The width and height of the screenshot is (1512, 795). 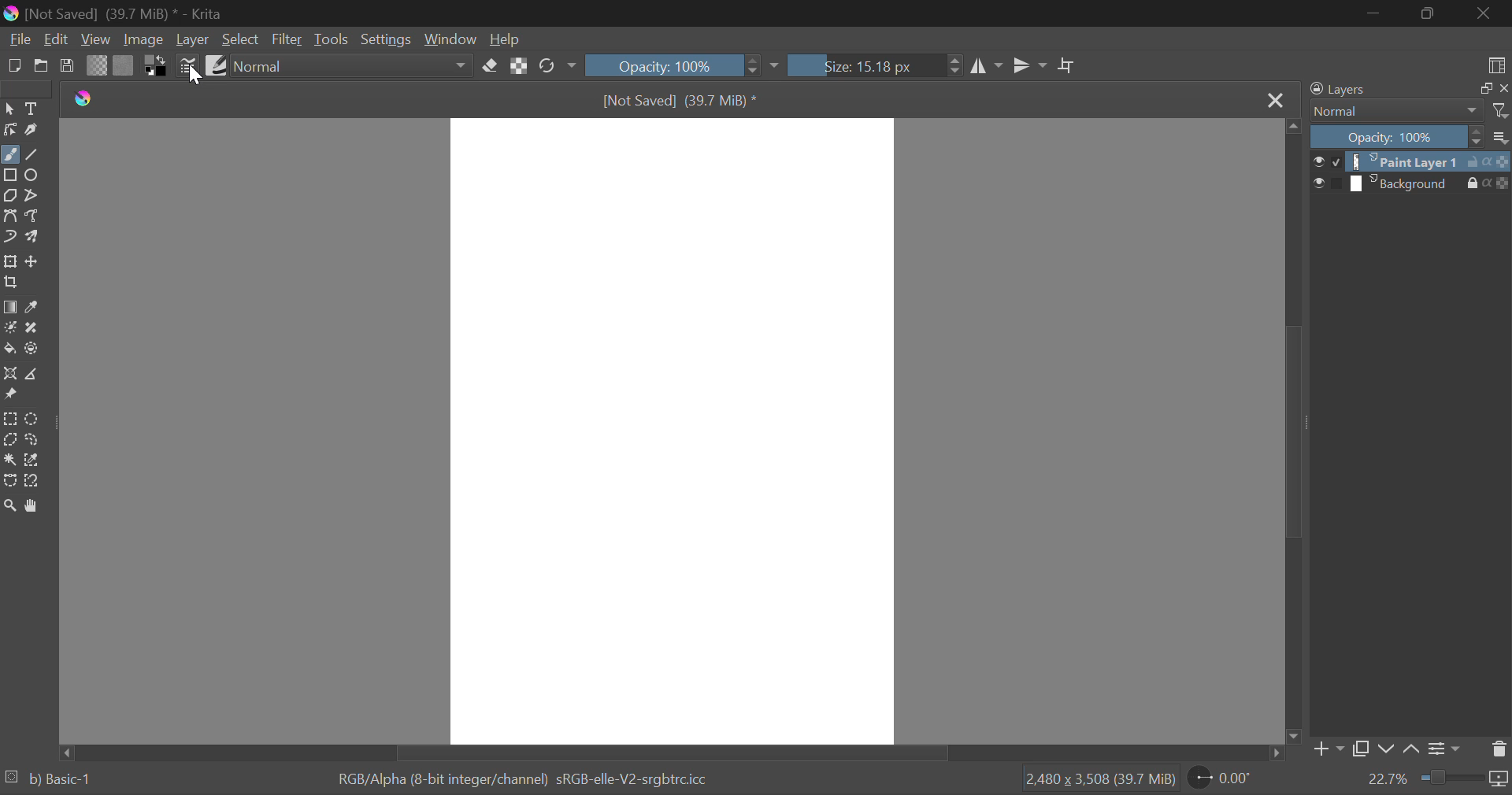 What do you see at coordinates (32, 462) in the screenshot?
I see `Similar Color Selector` at bounding box center [32, 462].